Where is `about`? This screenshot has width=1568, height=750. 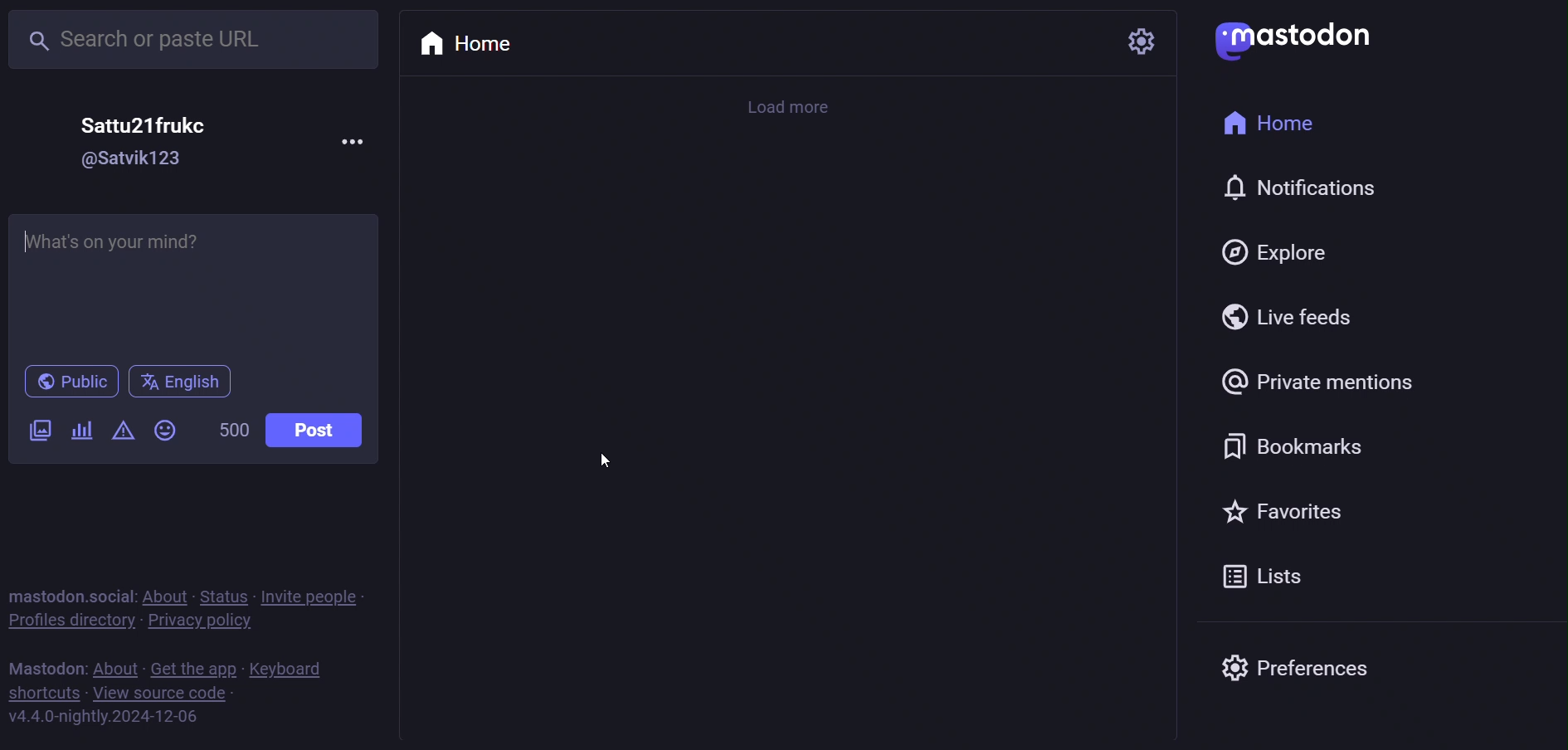
about is located at coordinates (116, 670).